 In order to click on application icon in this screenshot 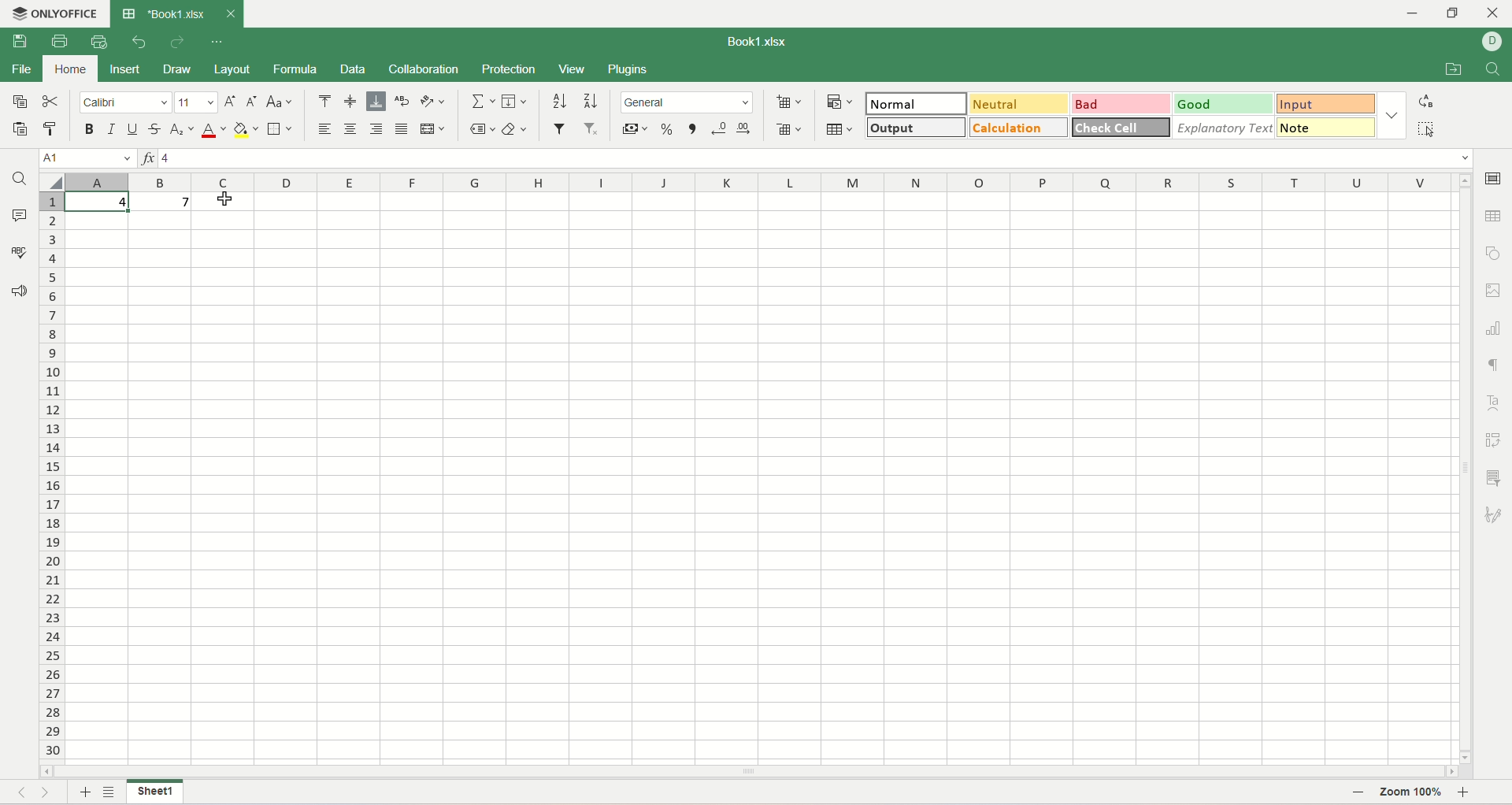, I will do `click(128, 13)`.